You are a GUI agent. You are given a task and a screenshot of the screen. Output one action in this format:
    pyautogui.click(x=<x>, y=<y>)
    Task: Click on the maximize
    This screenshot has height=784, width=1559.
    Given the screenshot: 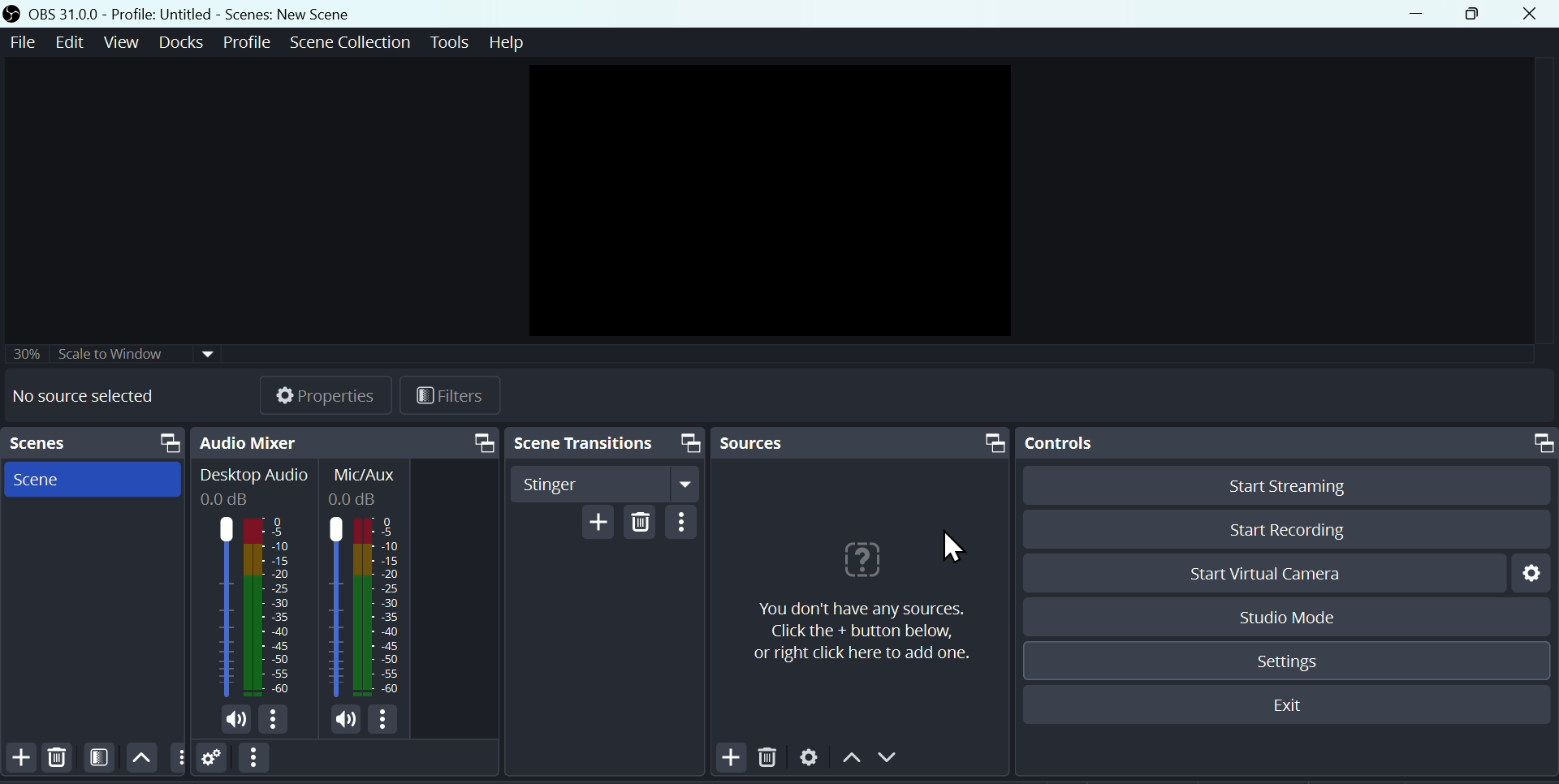 What is the action you would take?
    pyautogui.click(x=991, y=444)
    